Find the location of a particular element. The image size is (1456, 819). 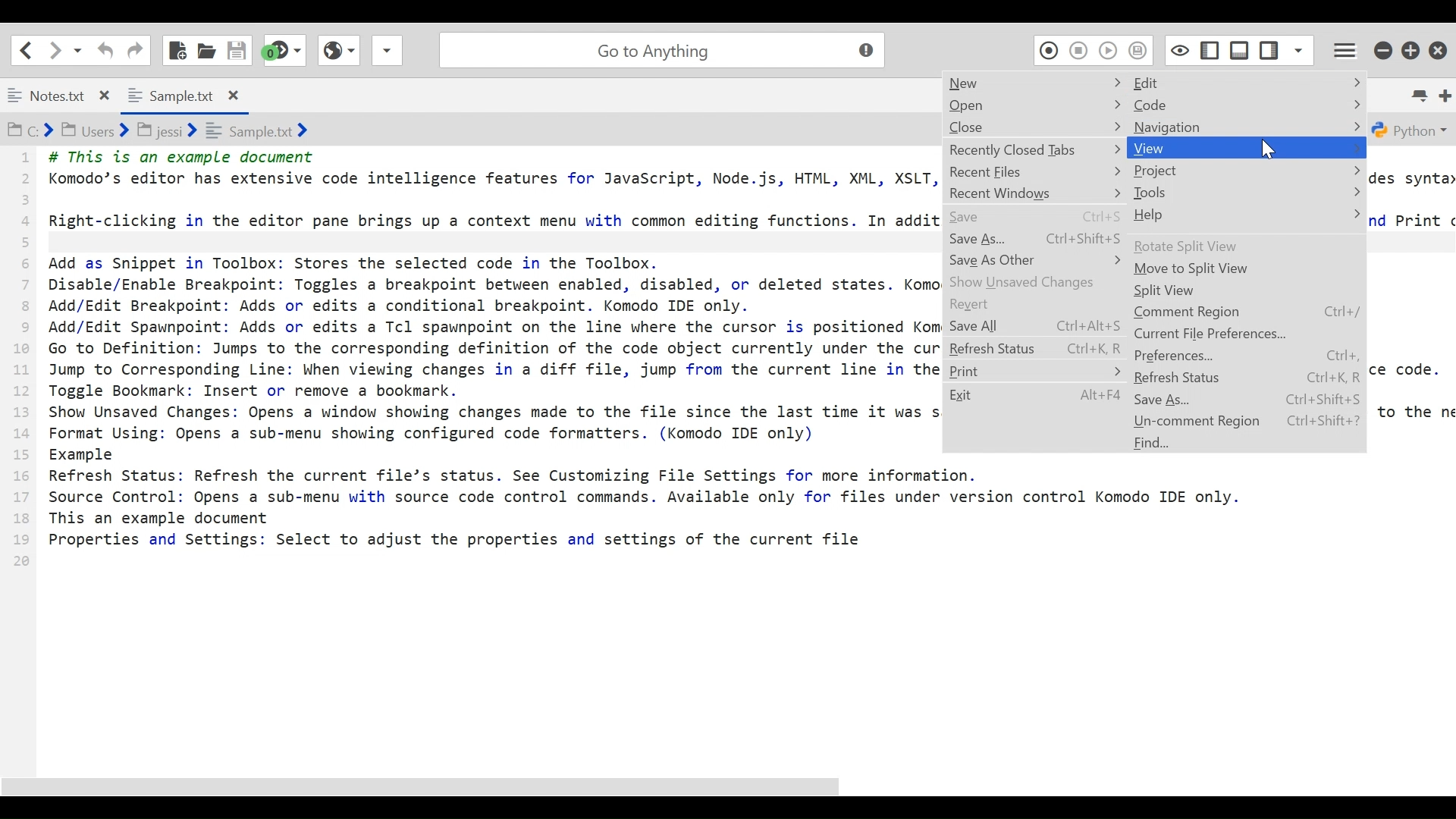

Comment Region Ctrl+/ is located at coordinates (1247, 312).